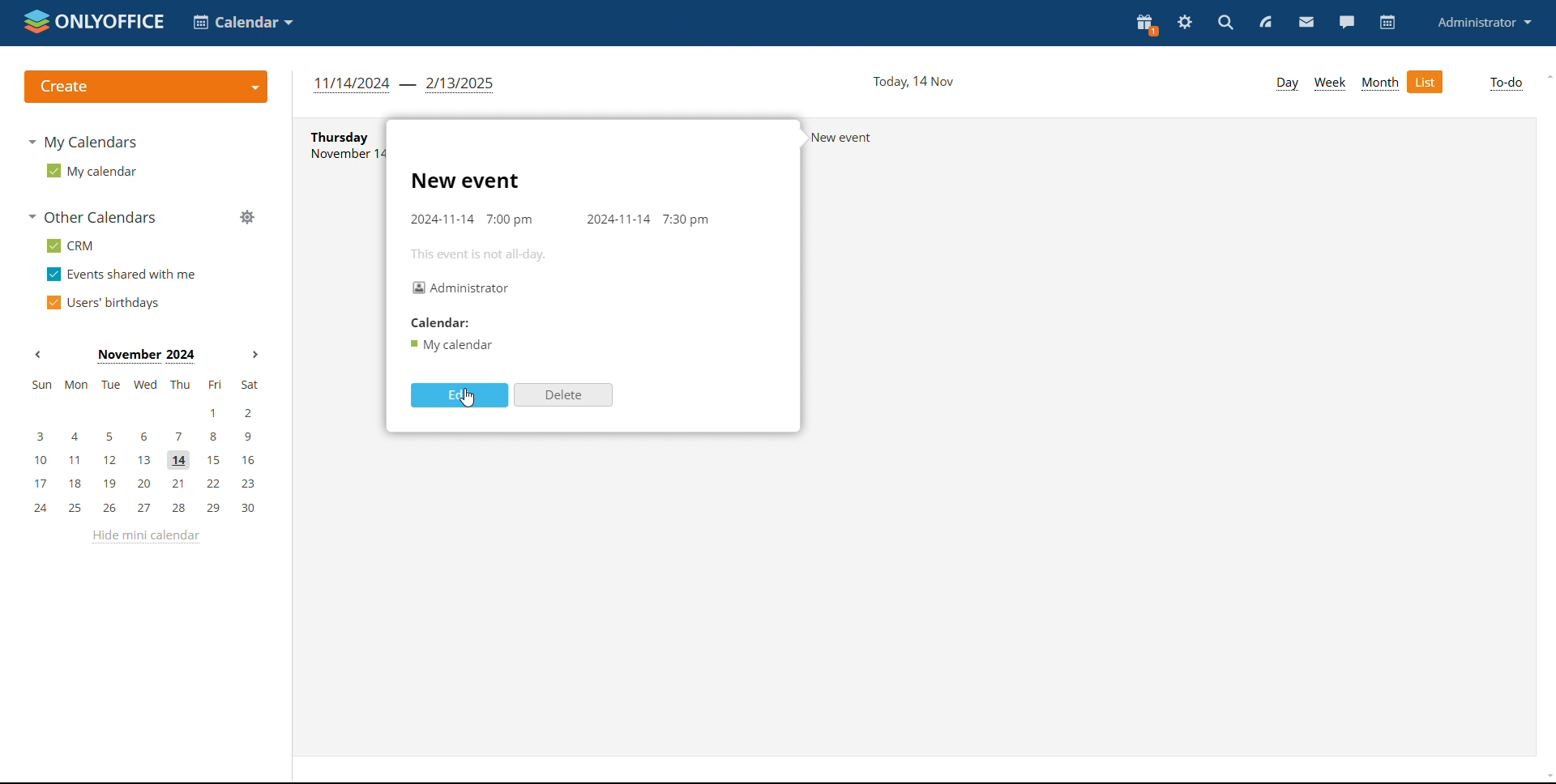 The height and width of the screenshot is (784, 1556). I want to click on text, so click(848, 143).